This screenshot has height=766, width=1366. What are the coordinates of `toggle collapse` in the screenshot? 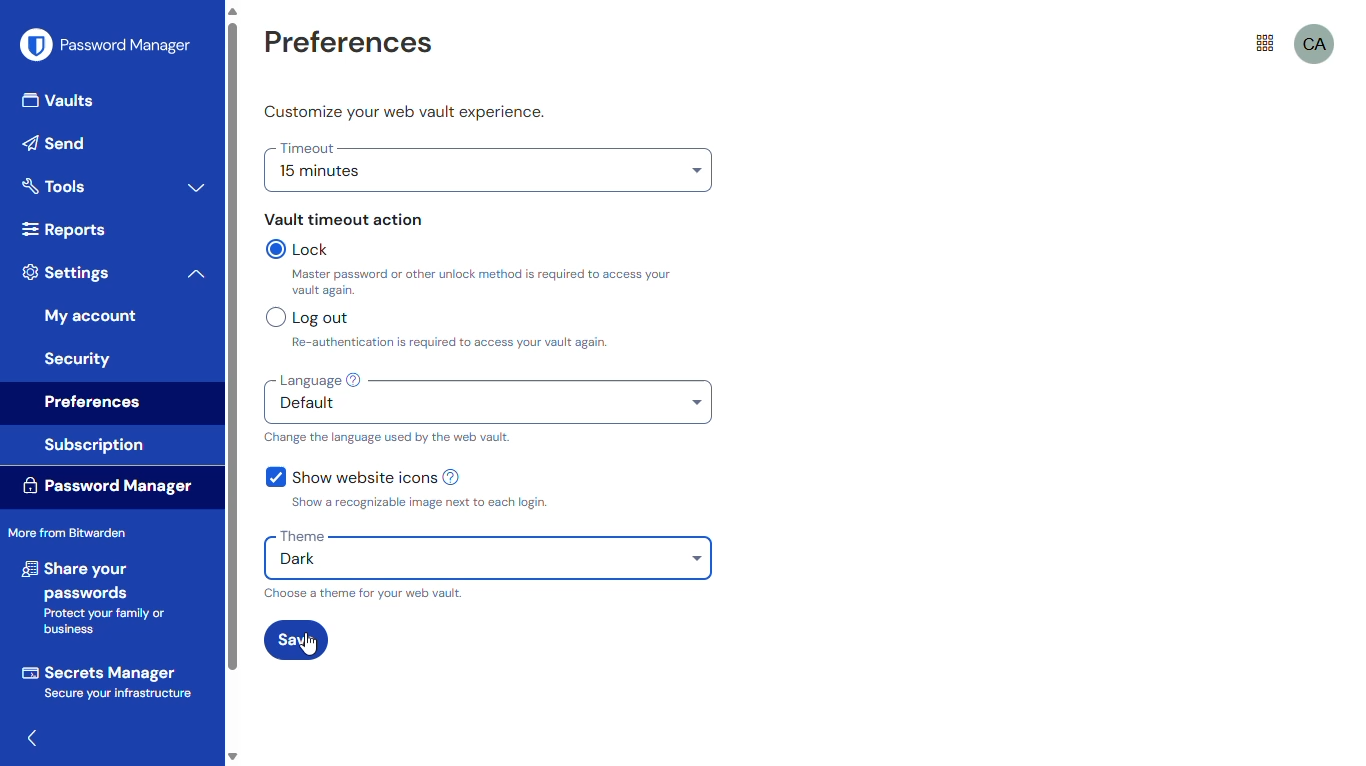 It's located at (196, 274).